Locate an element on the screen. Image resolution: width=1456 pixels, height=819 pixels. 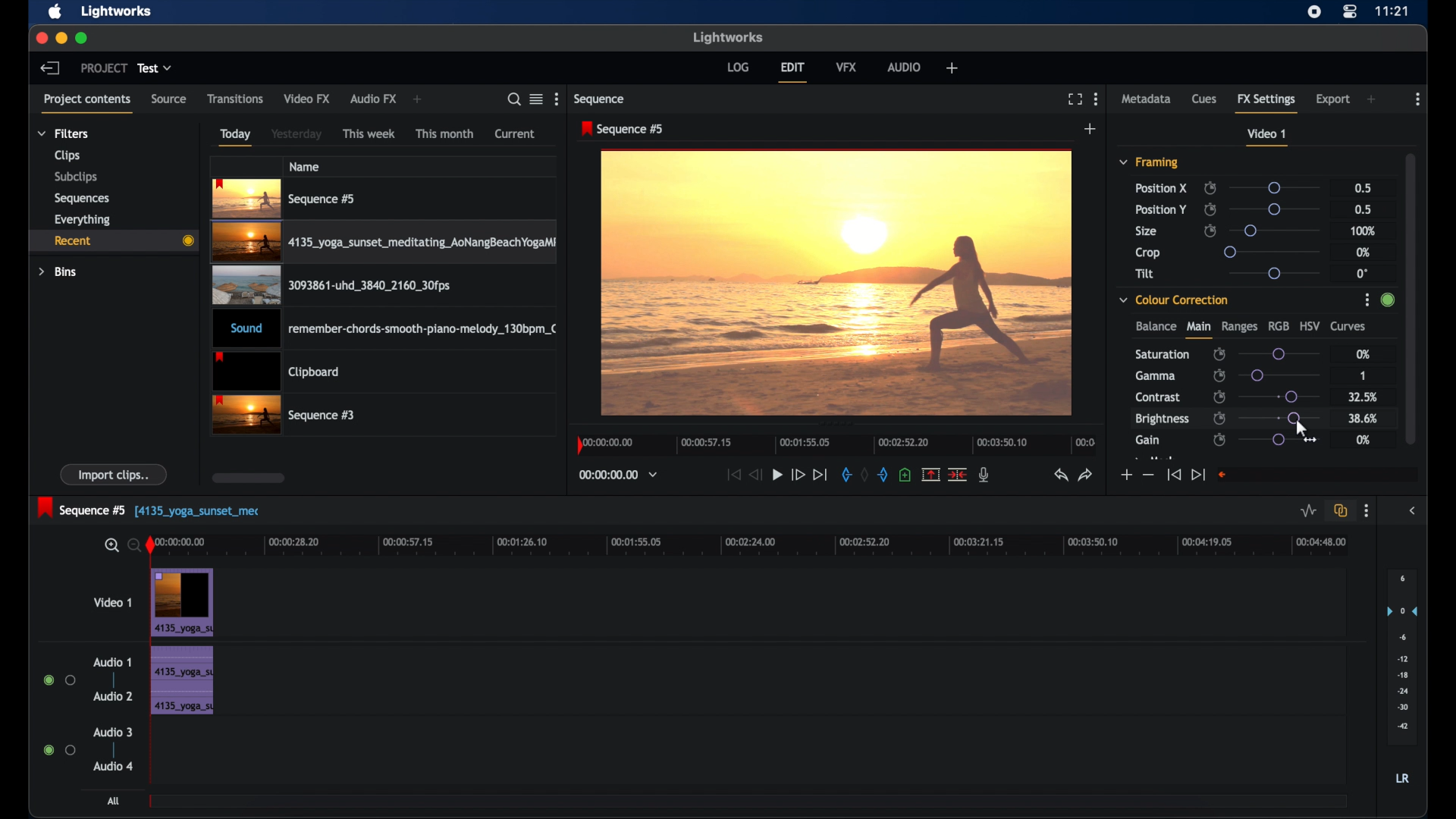
import clips is located at coordinates (115, 474).